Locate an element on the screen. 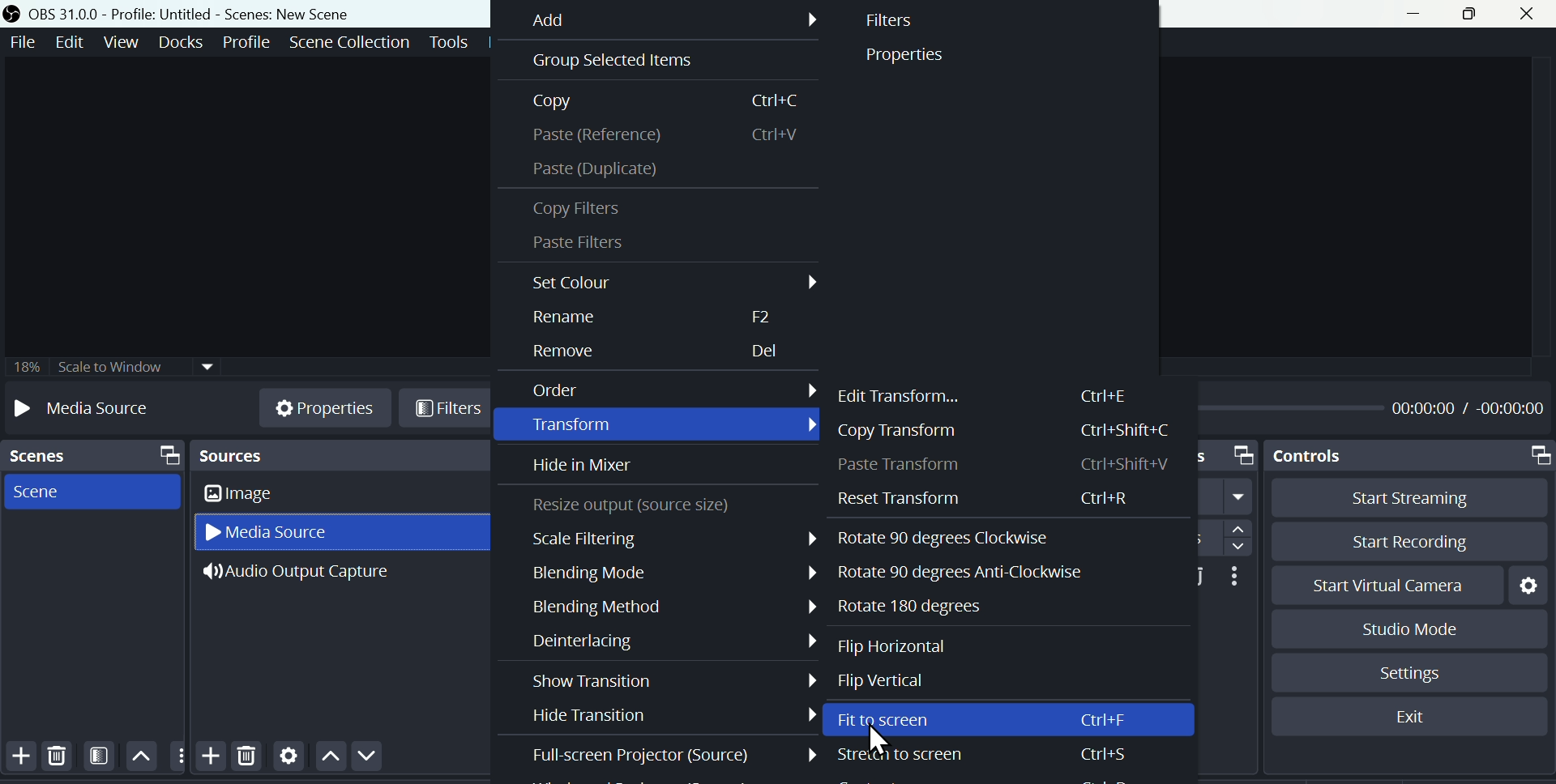 This screenshot has height=784, width=1556. Rotate 90 degrees anti clockwise is located at coordinates (968, 573).